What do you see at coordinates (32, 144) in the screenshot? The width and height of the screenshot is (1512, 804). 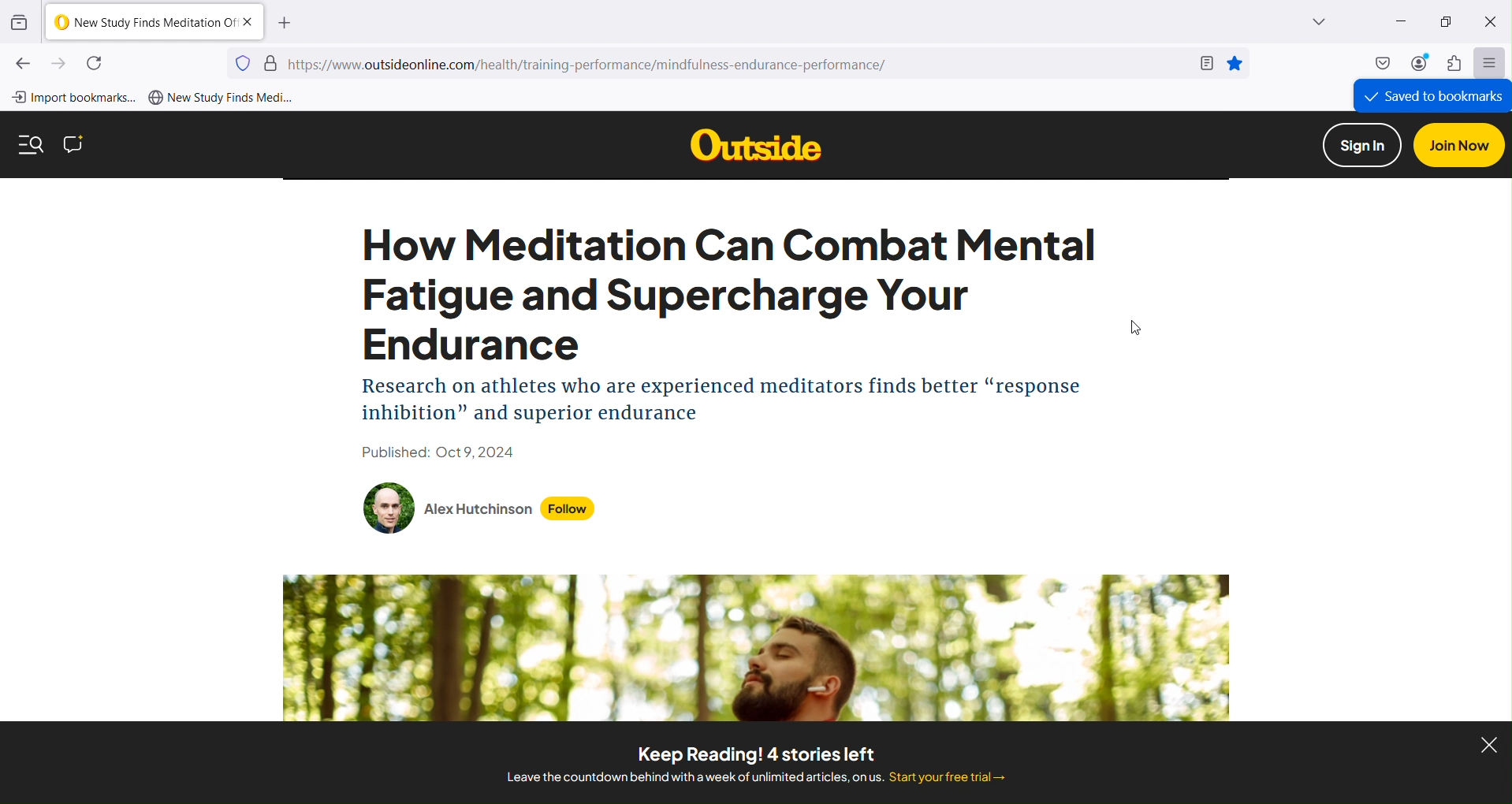 I see `Search for more content` at bounding box center [32, 144].